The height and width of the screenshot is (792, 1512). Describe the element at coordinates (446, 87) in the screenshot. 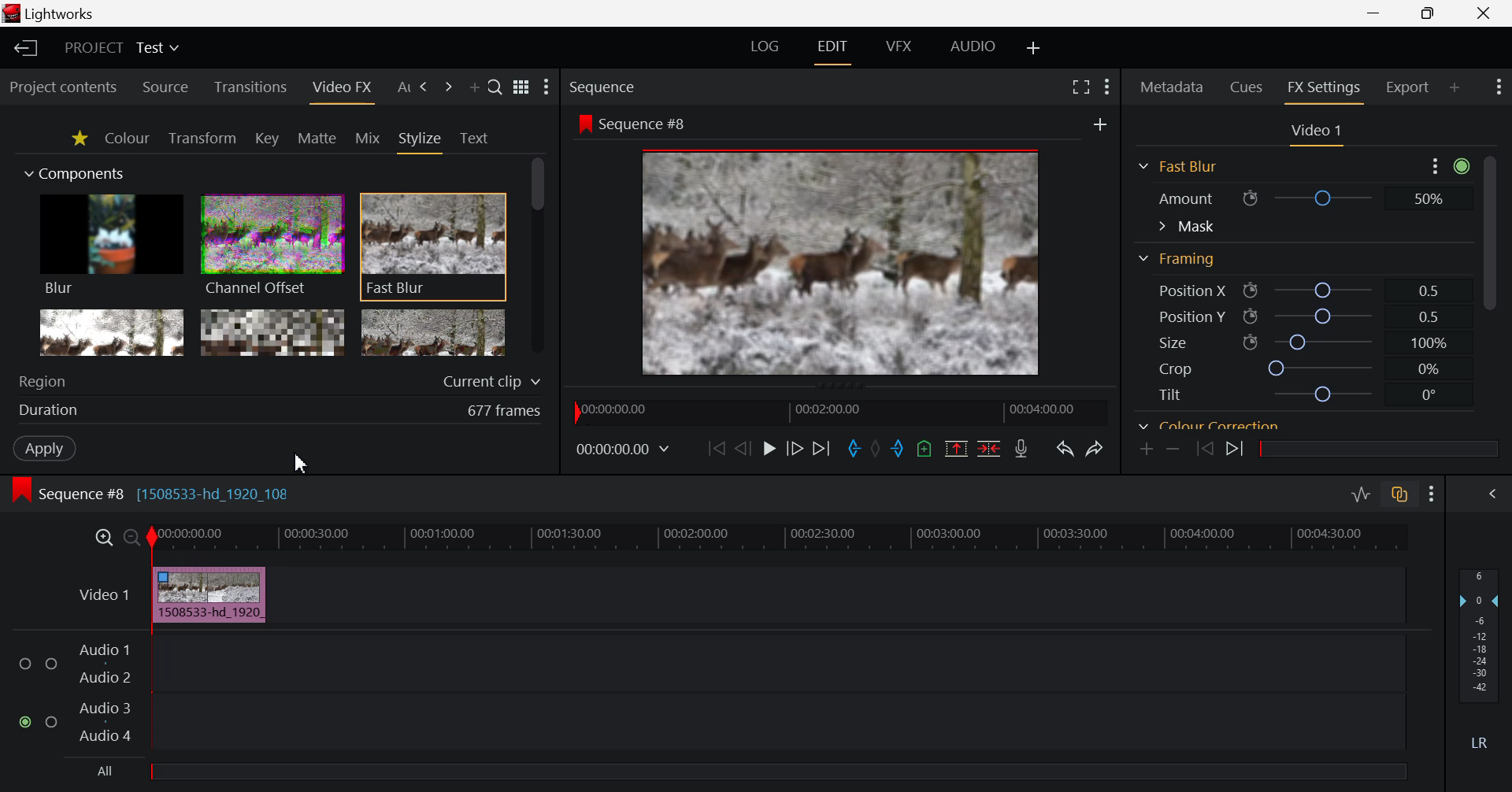

I see `Add Panel` at that location.